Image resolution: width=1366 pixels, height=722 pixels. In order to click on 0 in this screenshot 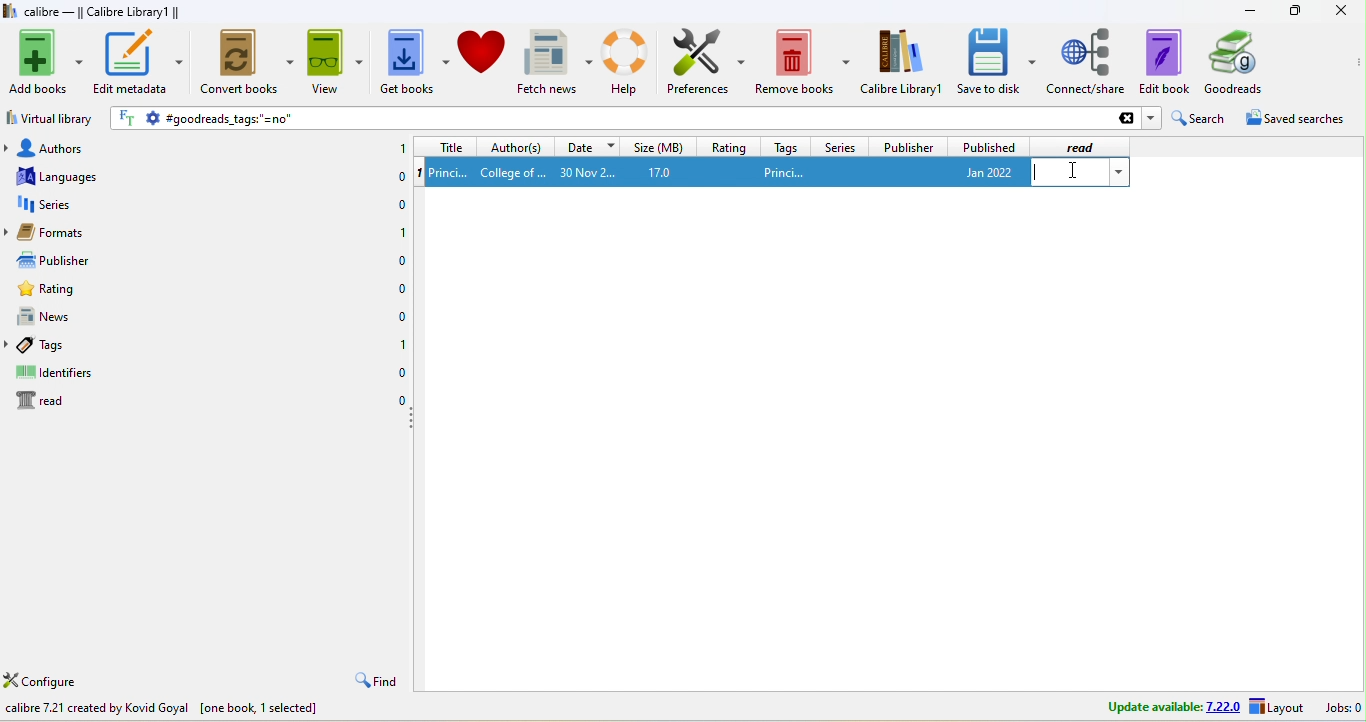, I will do `click(400, 371)`.